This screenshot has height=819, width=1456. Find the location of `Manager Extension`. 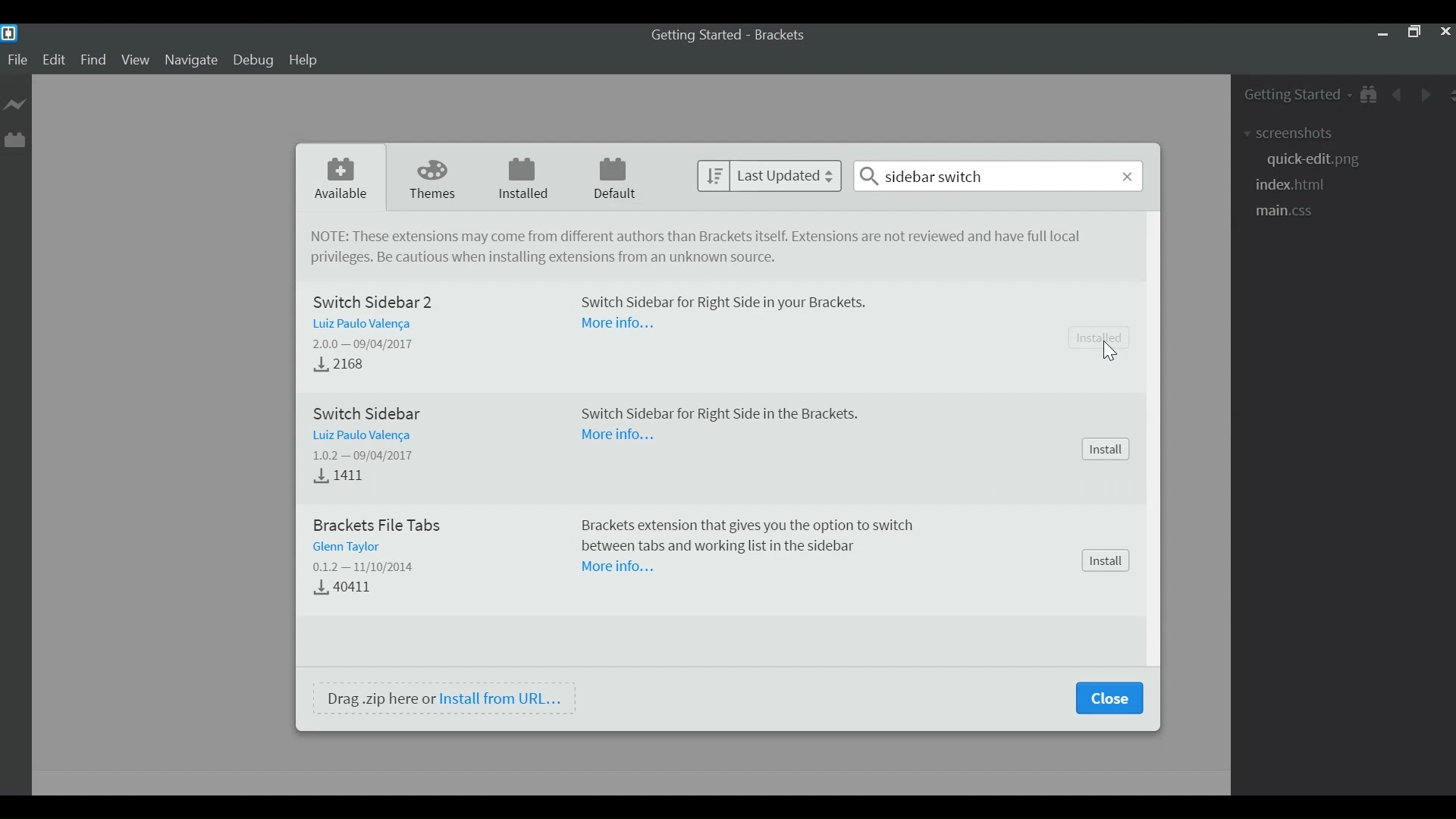

Manager Extension is located at coordinates (14, 139).